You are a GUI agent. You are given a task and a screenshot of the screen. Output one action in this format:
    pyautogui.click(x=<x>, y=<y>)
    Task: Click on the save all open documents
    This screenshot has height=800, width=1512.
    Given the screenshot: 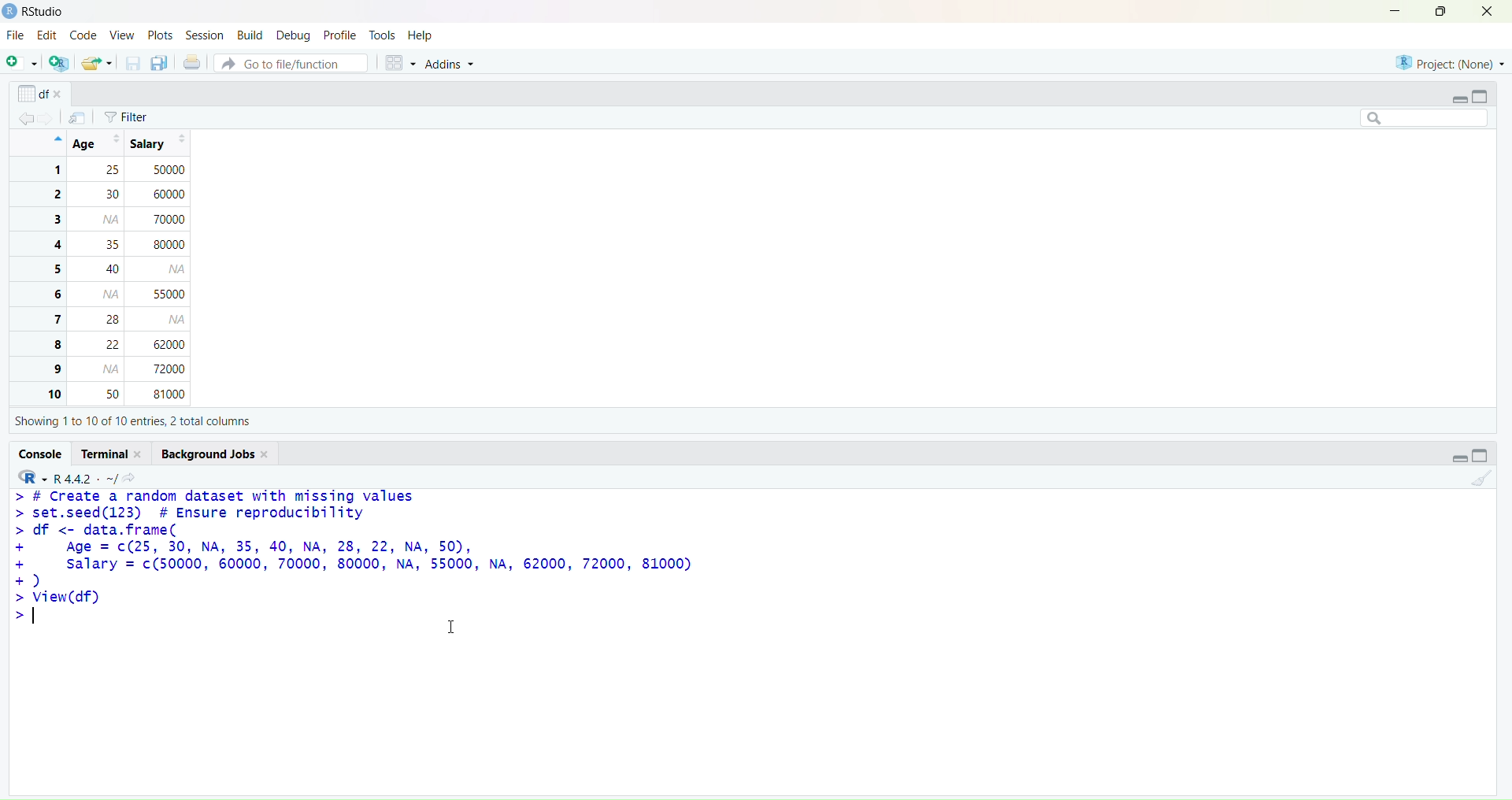 What is the action you would take?
    pyautogui.click(x=160, y=64)
    